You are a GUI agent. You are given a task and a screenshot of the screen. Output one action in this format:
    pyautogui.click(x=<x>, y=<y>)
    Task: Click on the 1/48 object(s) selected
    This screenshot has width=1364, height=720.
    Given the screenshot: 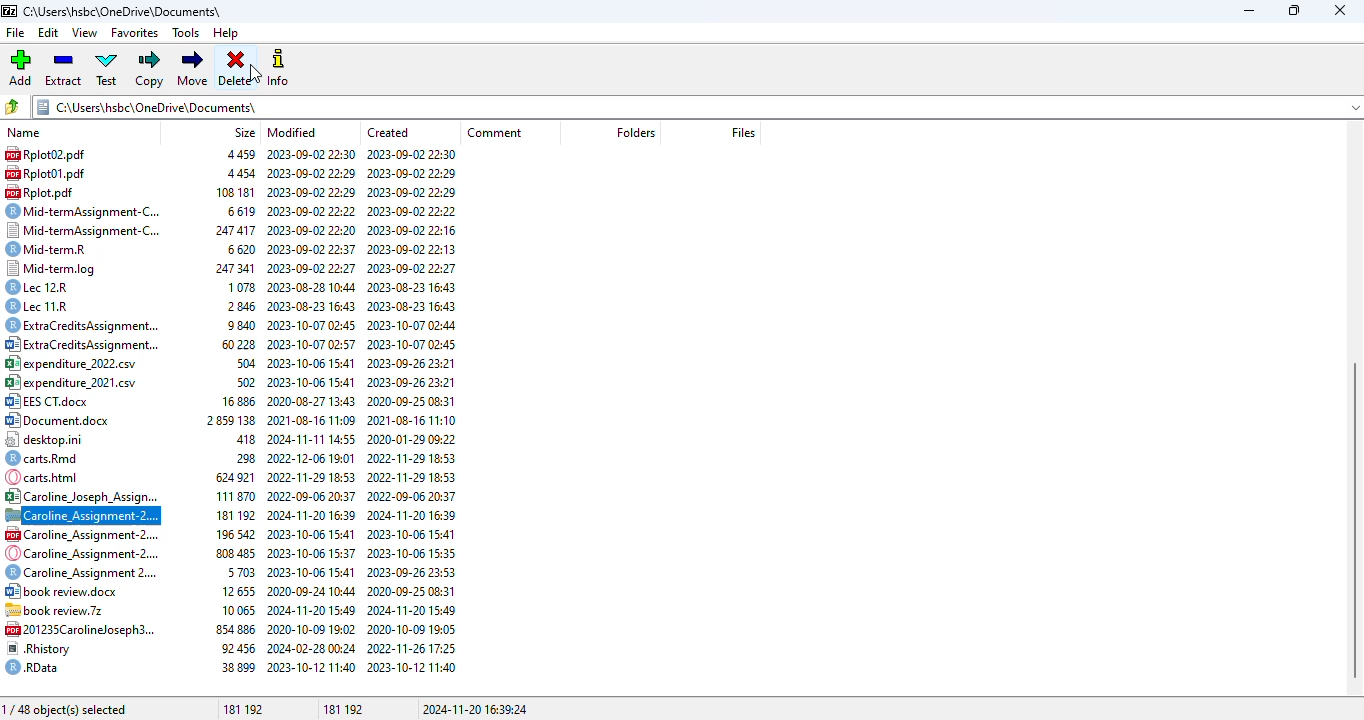 What is the action you would take?
    pyautogui.click(x=66, y=710)
    